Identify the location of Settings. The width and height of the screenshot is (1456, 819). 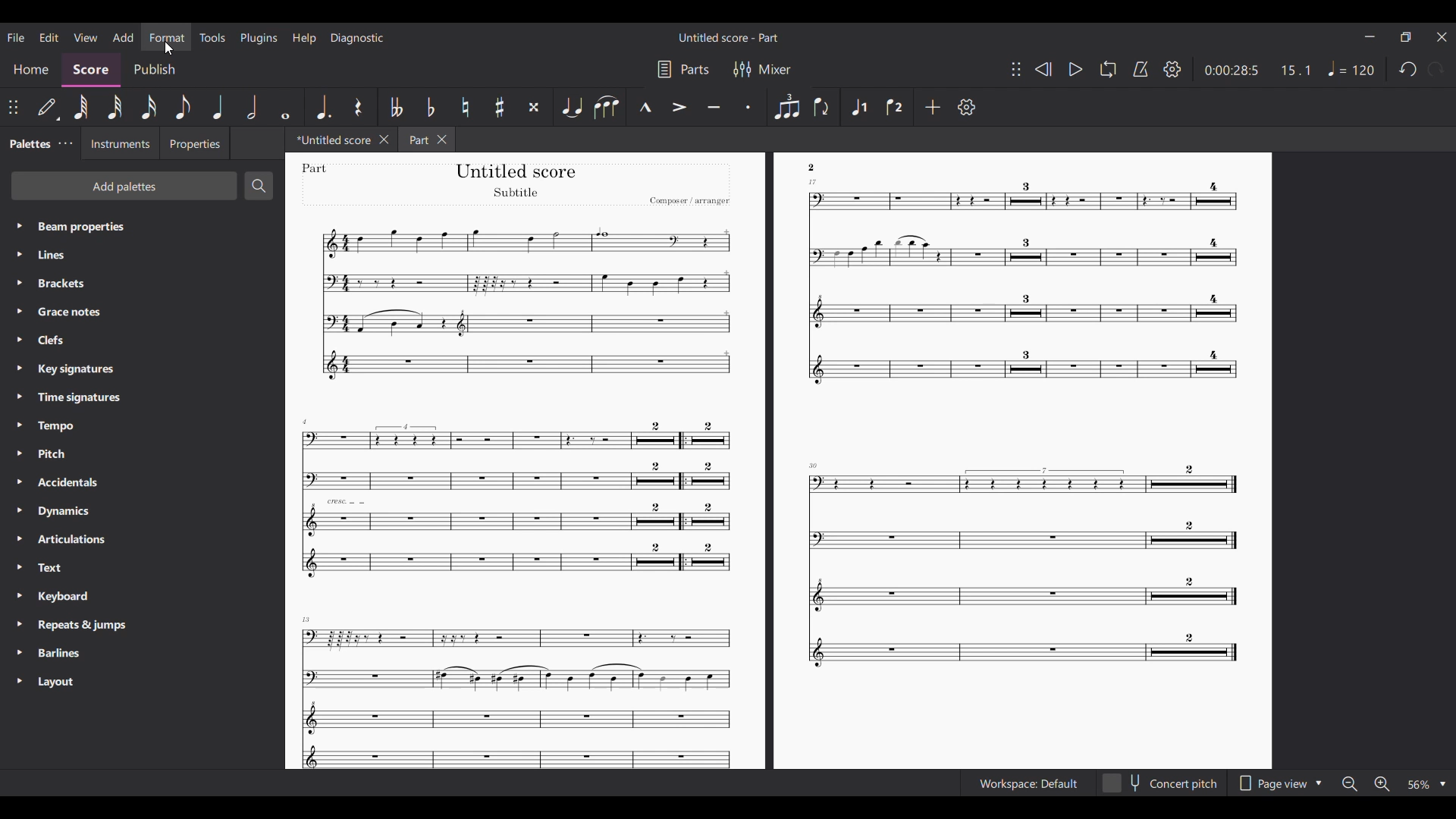
(966, 107).